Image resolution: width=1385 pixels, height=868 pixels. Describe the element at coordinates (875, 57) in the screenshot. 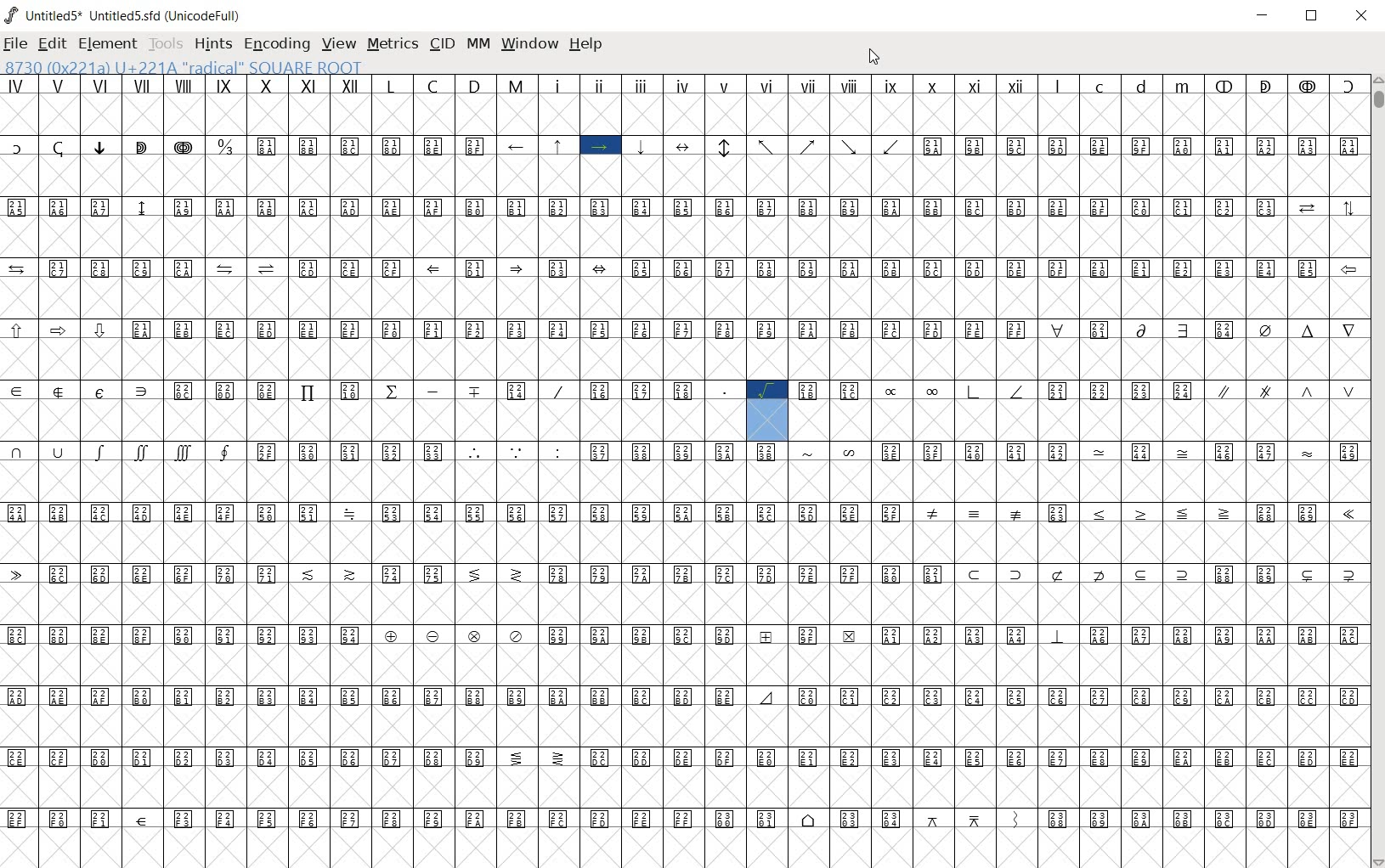

I see `CURSOR` at that location.